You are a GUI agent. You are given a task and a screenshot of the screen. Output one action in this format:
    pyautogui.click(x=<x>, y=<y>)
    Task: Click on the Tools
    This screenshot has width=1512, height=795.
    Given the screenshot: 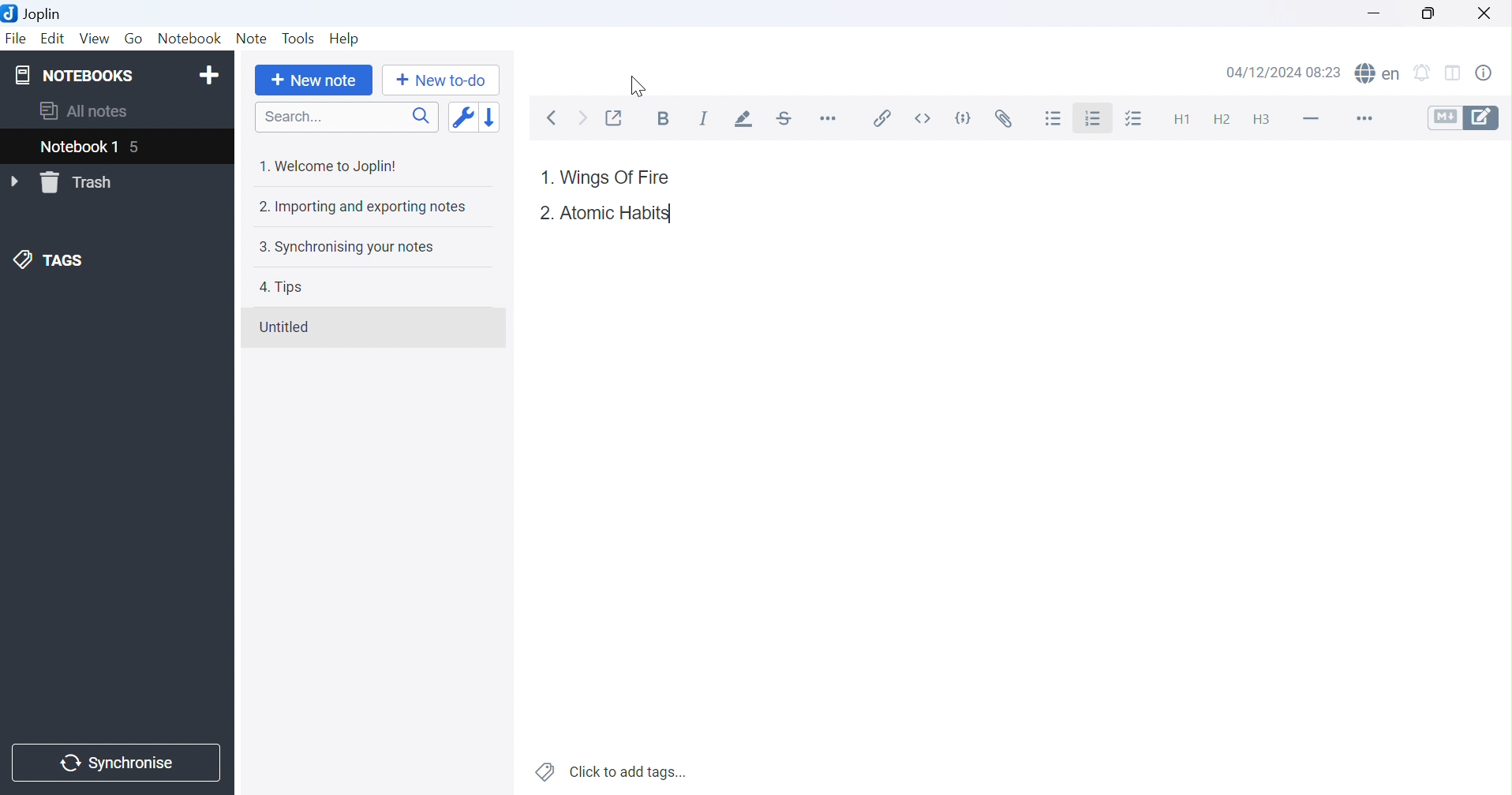 What is the action you would take?
    pyautogui.click(x=298, y=38)
    